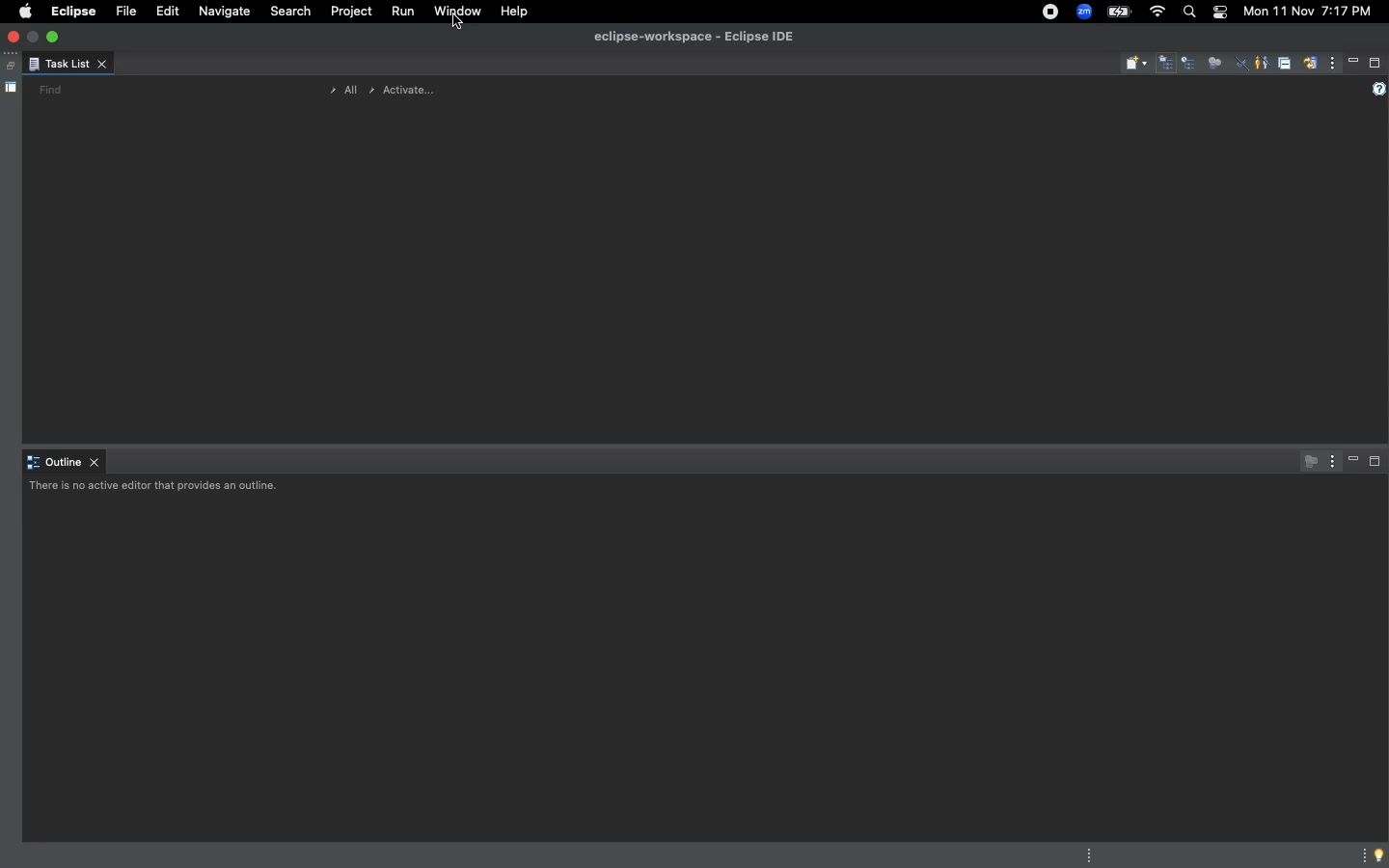 The width and height of the screenshot is (1389, 868). I want to click on All, so click(340, 91).